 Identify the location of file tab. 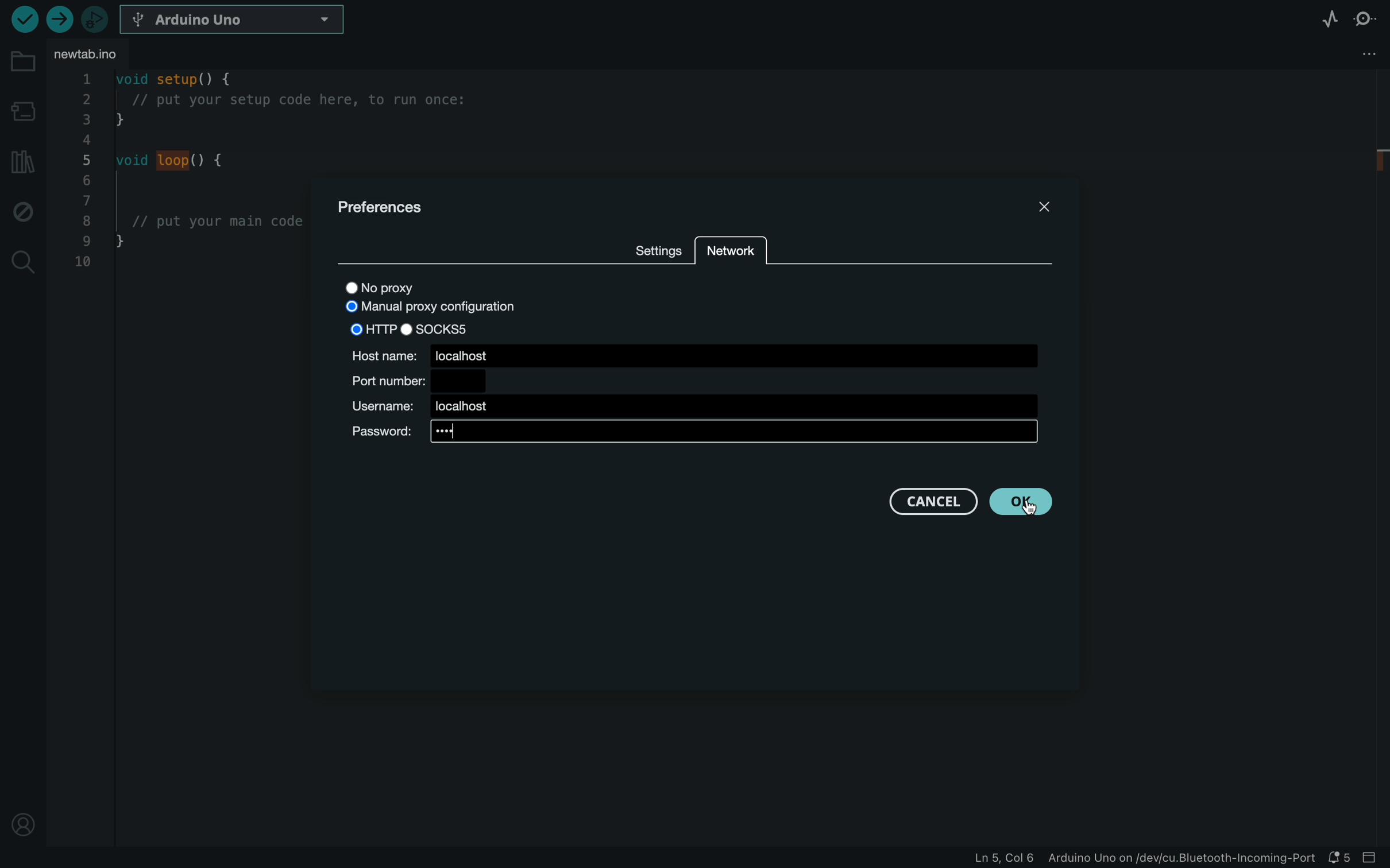
(93, 56).